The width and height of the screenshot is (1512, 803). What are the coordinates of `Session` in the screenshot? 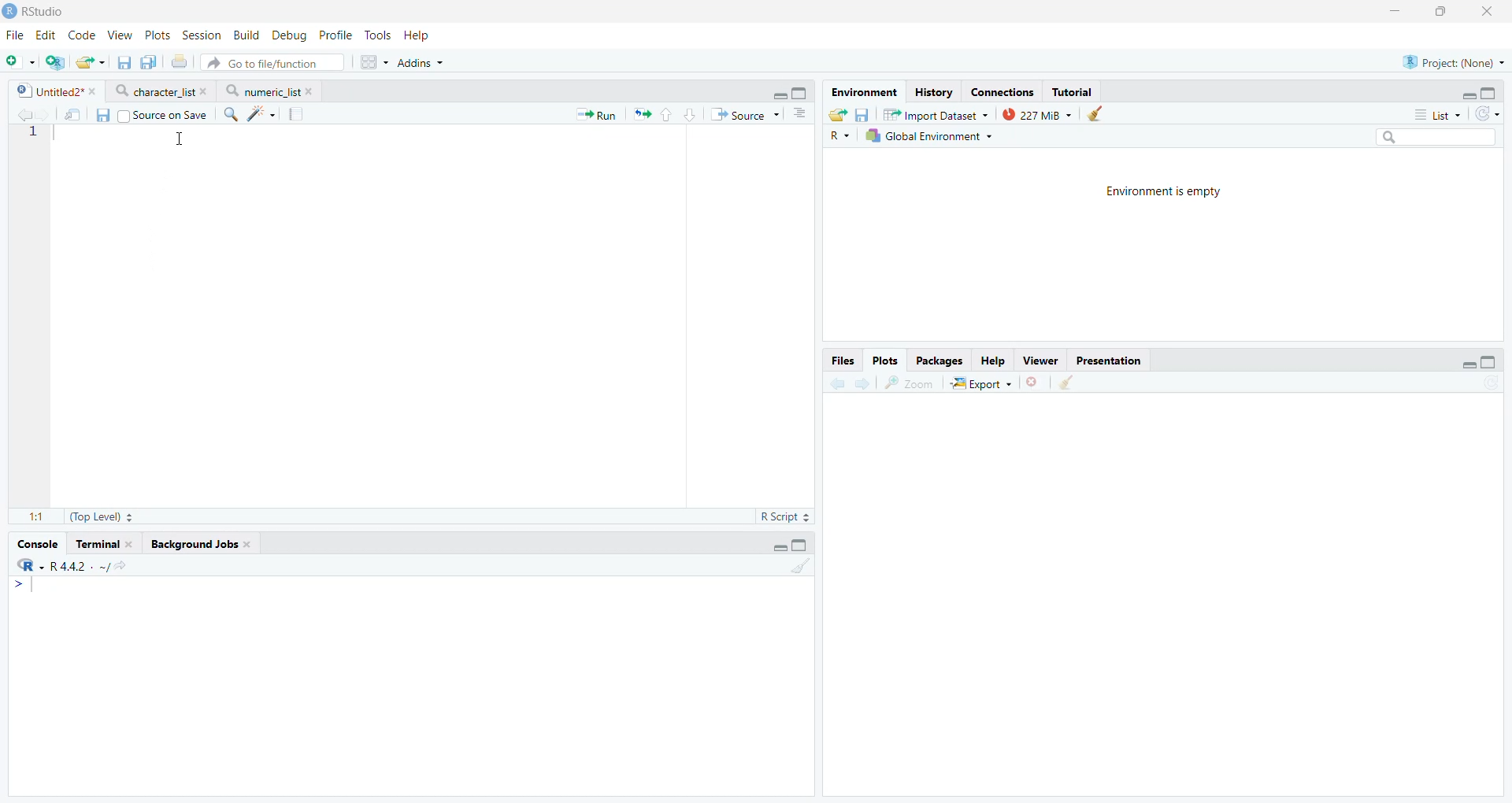 It's located at (202, 34).